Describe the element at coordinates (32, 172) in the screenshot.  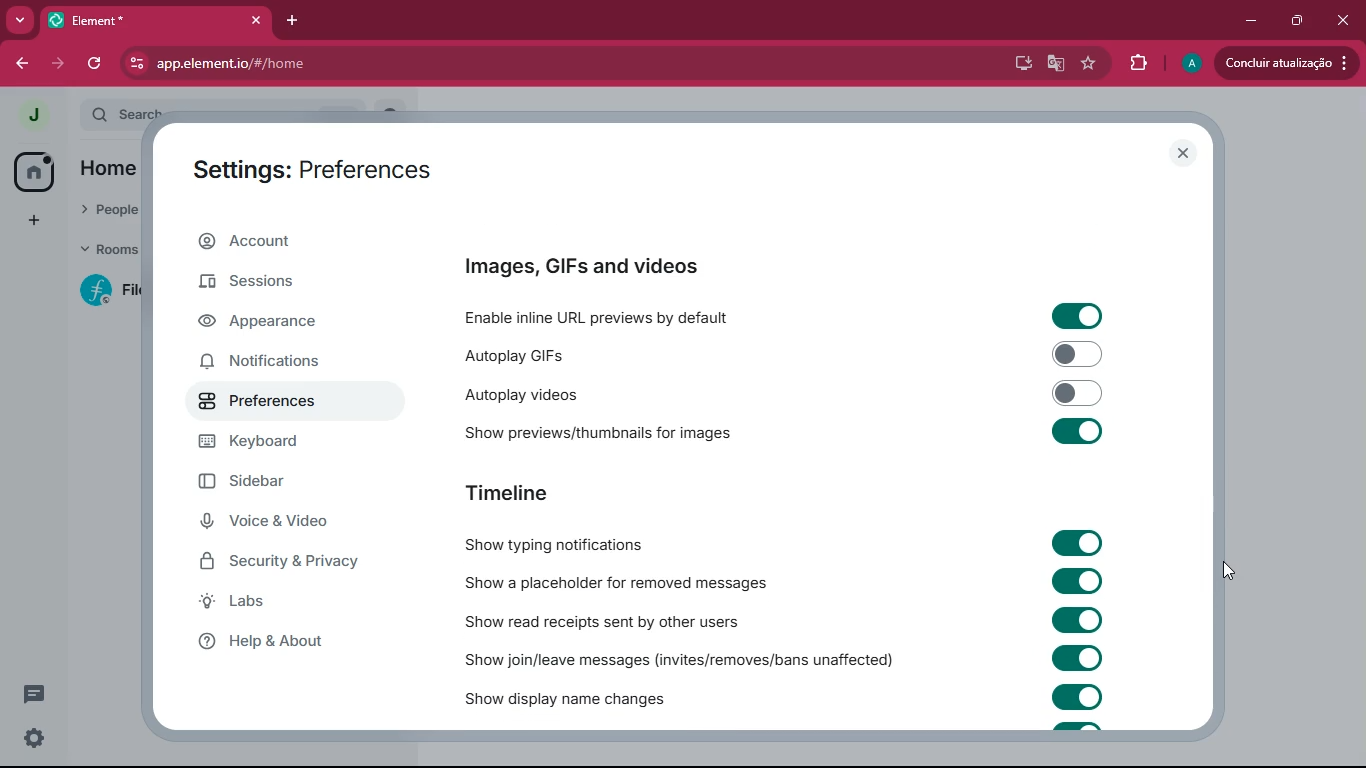
I see `home` at that location.